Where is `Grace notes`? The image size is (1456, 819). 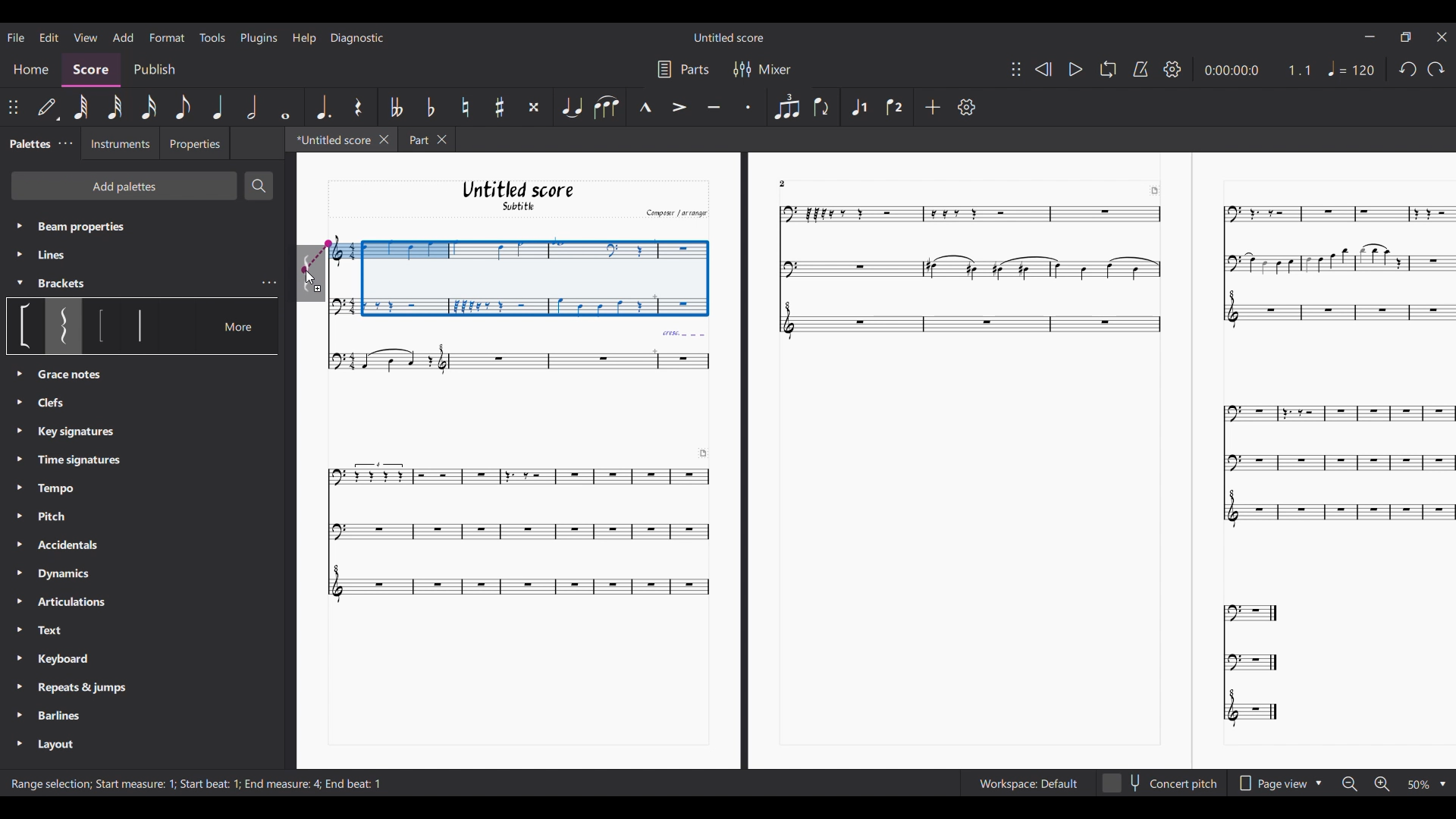 Grace notes is located at coordinates (57, 403).